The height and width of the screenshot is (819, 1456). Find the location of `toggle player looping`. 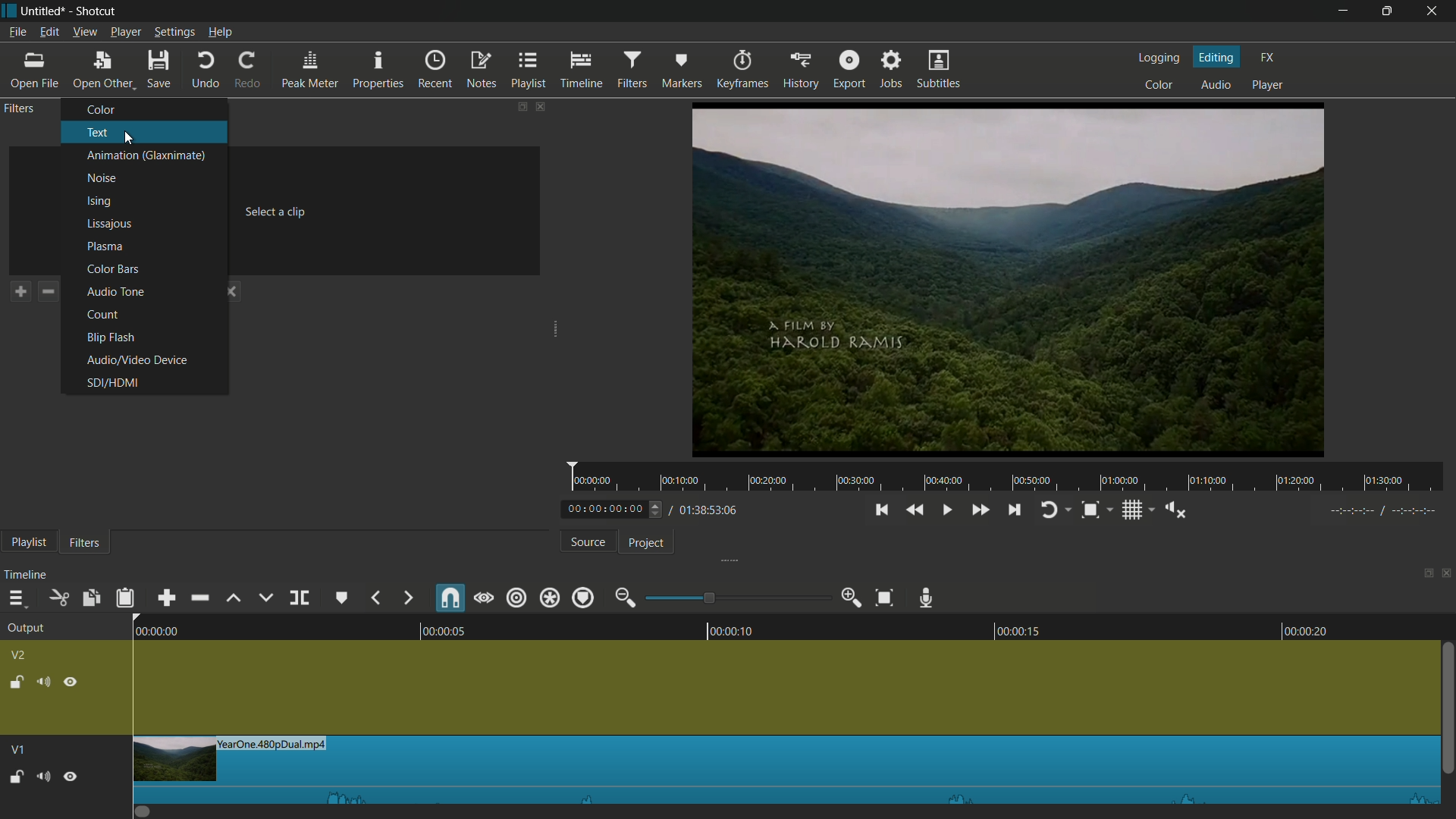

toggle player looping is located at coordinates (1048, 510).